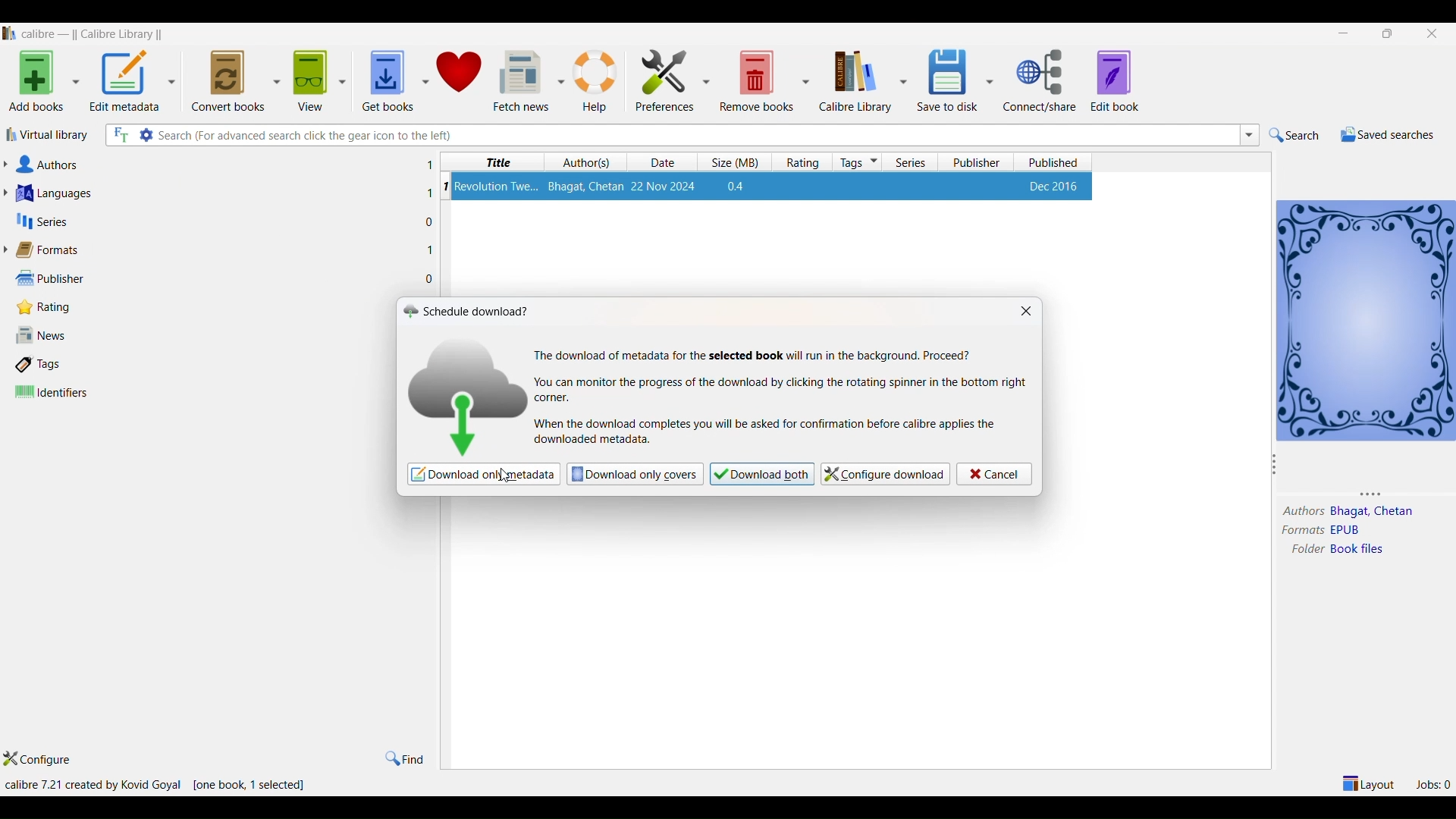 The width and height of the screenshot is (1456, 819). Describe the element at coordinates (425, 193) in the screenshot. I see `1` at that location.